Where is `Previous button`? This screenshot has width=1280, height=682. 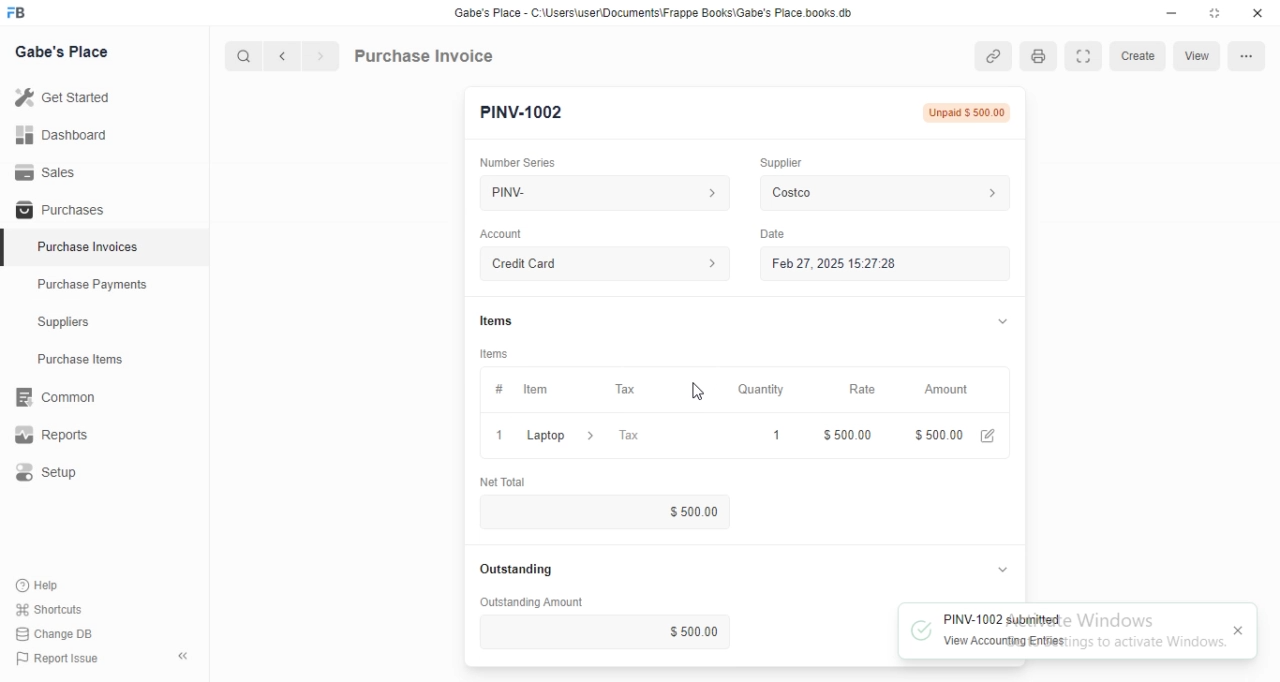
Previous button is located at coordinates (283, 56).